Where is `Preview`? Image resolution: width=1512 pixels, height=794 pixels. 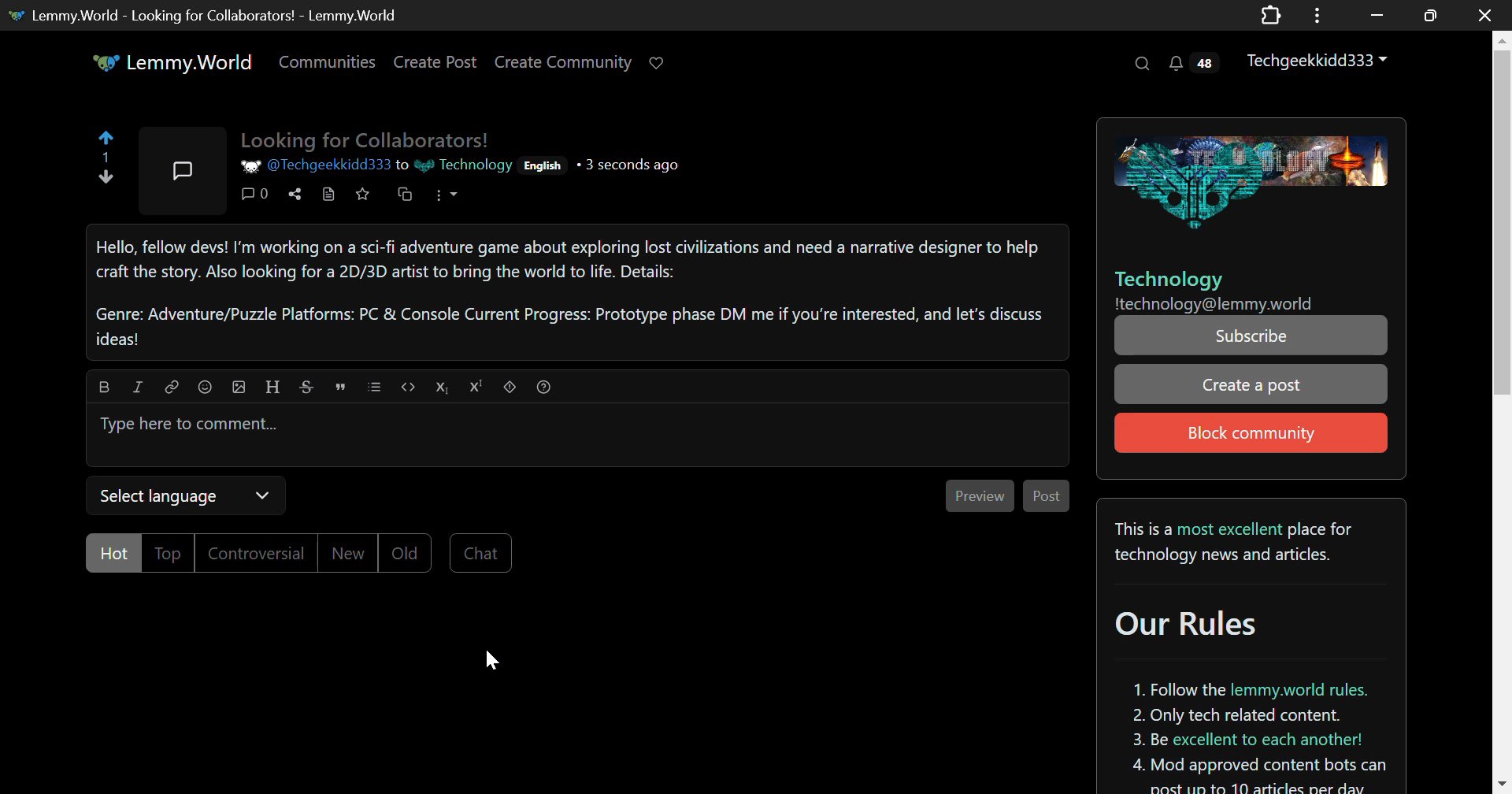
Preview is located at coordinates (983, 495).